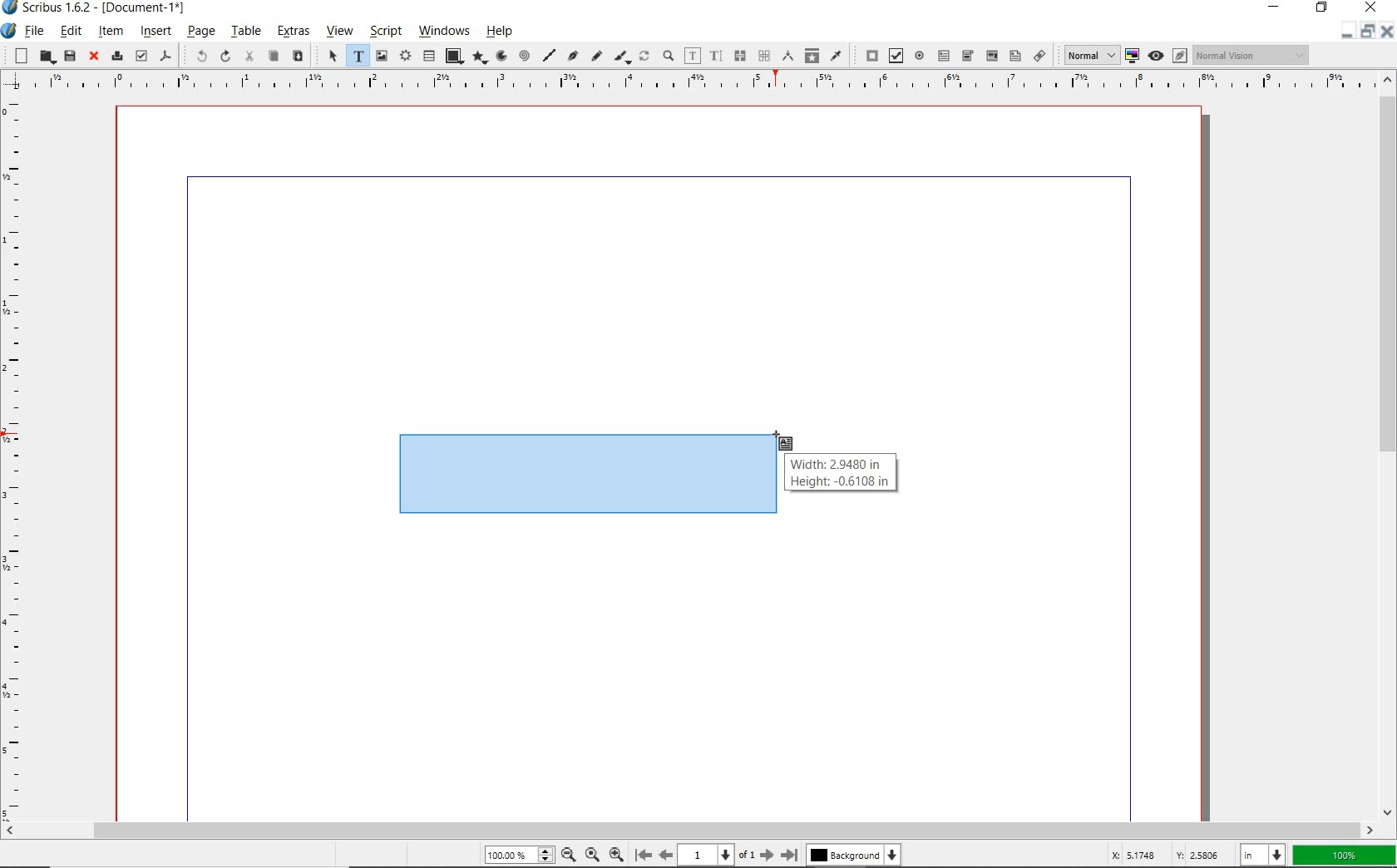  Describe the element at coordinates (990, 55) in the screenshot. I see `pdf list box` at that location.